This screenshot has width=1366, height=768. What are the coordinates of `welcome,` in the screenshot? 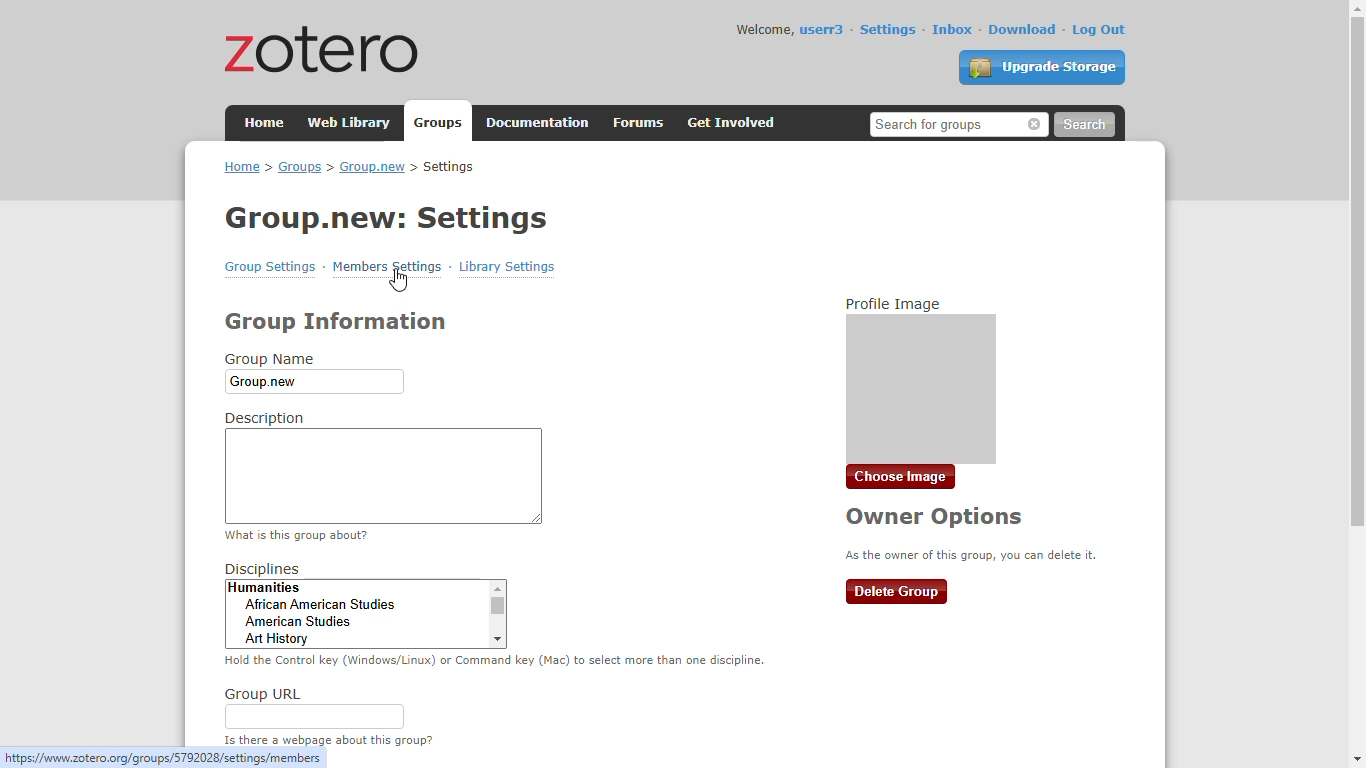 It's located at (765, 29).